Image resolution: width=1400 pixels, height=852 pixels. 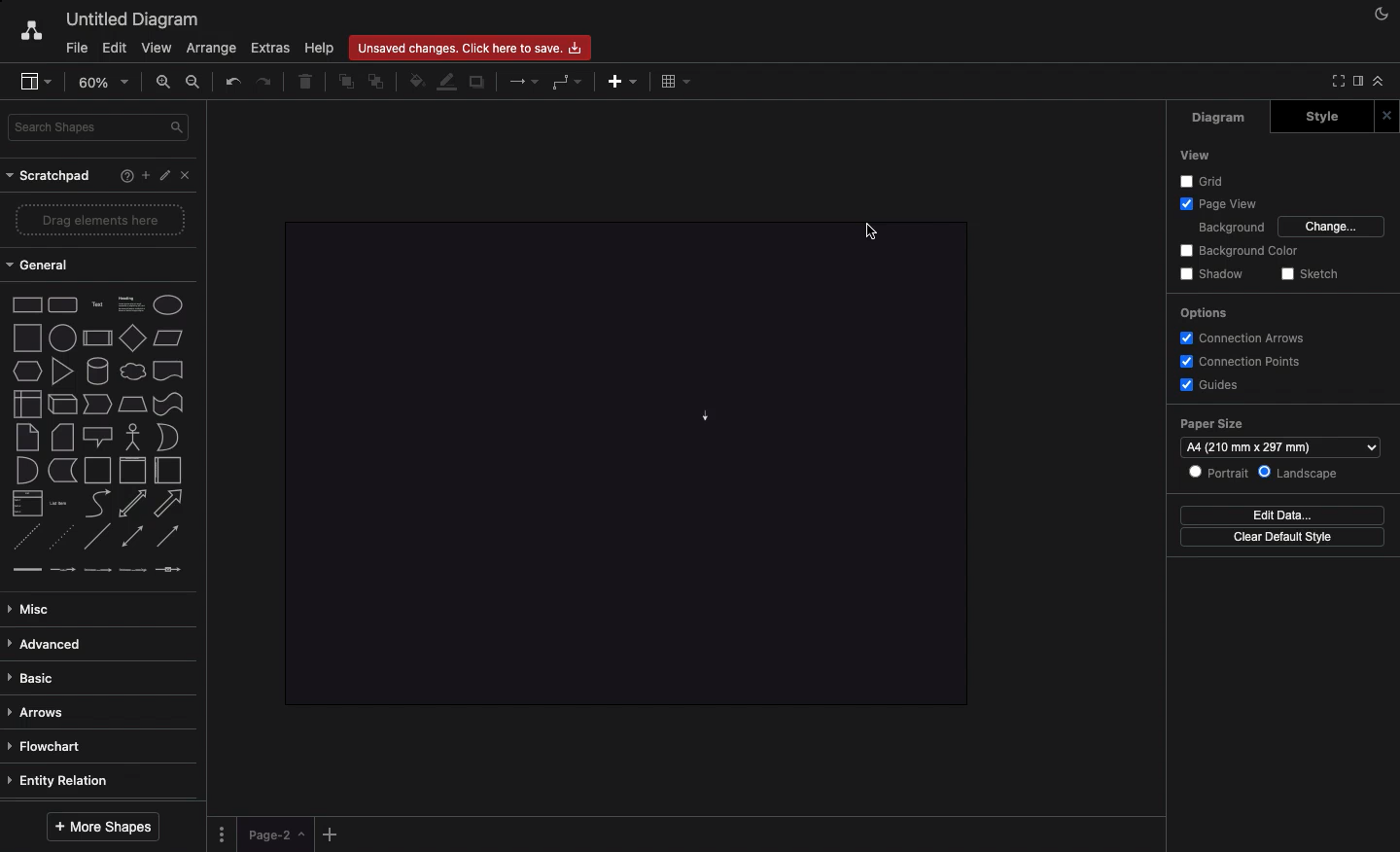 What do you see at coordinates (166, 175) in the screenshot?
I see `Edit` at bounding box center [166, 175].